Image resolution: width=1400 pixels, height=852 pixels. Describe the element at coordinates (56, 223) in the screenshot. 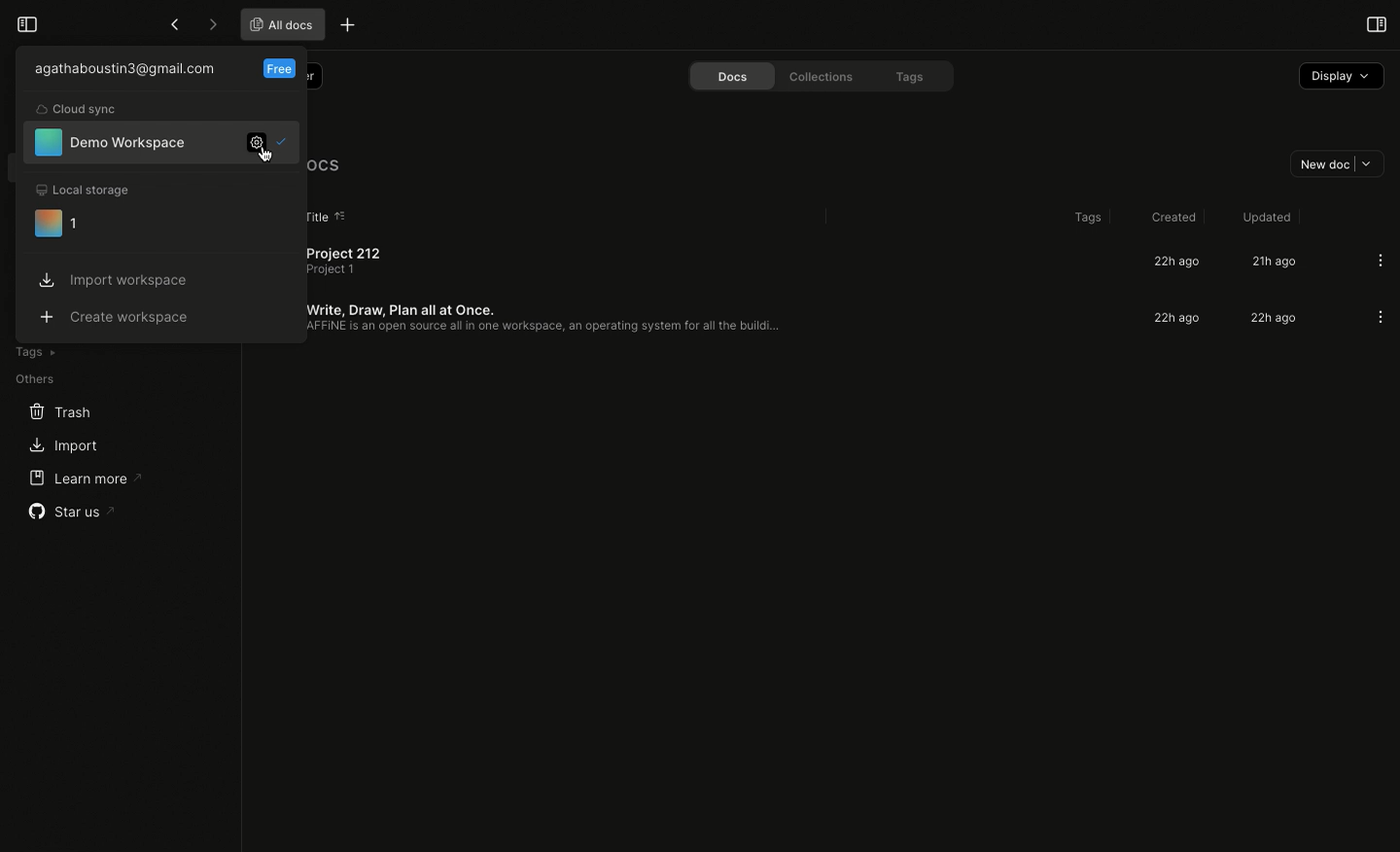

I see `1` at that location.